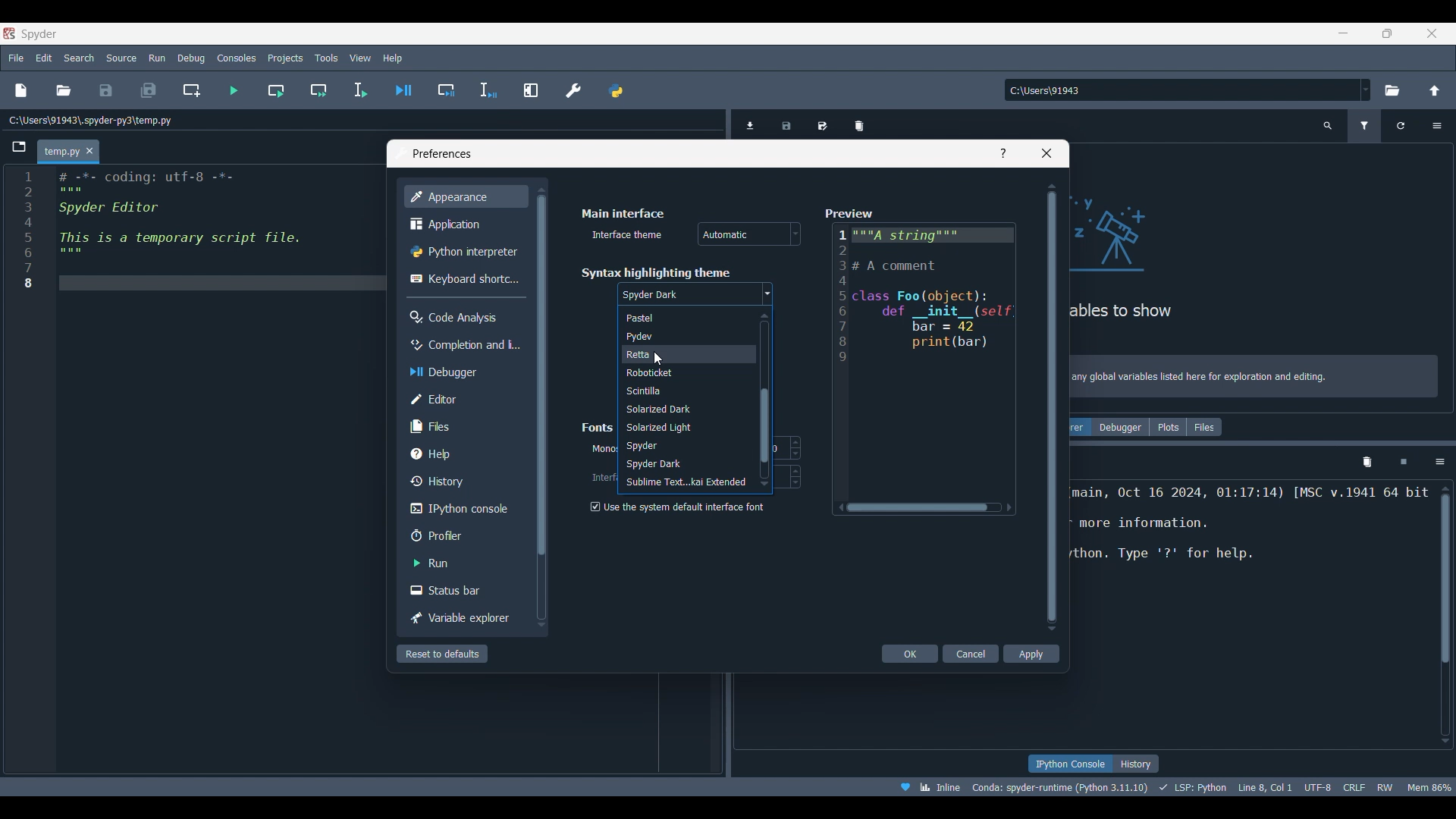  Describe the element at coordinates (200, 232) in the screenshot. I see `editor pane` at that location.